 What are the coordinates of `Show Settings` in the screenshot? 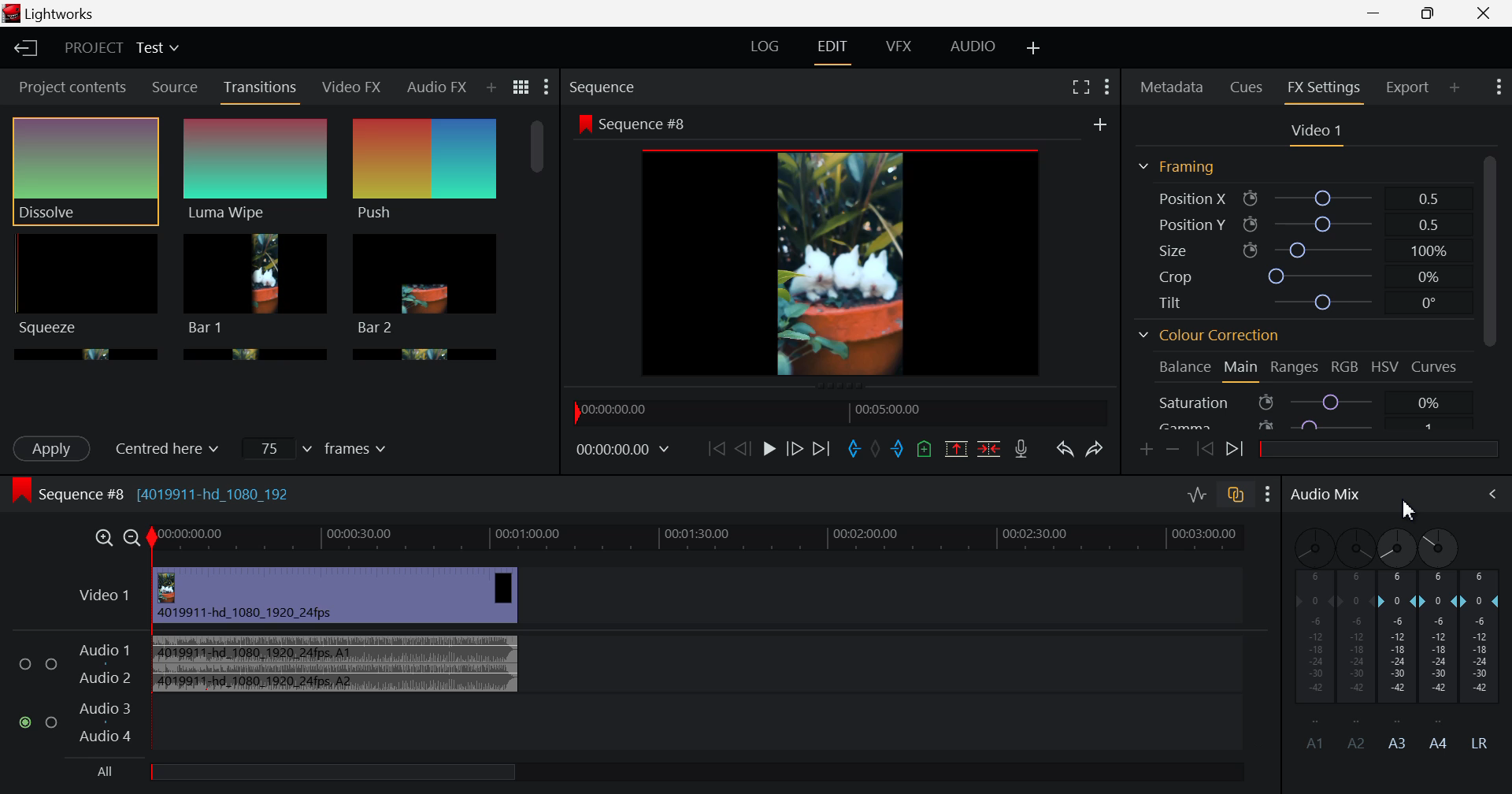 It's located at (547, 87).